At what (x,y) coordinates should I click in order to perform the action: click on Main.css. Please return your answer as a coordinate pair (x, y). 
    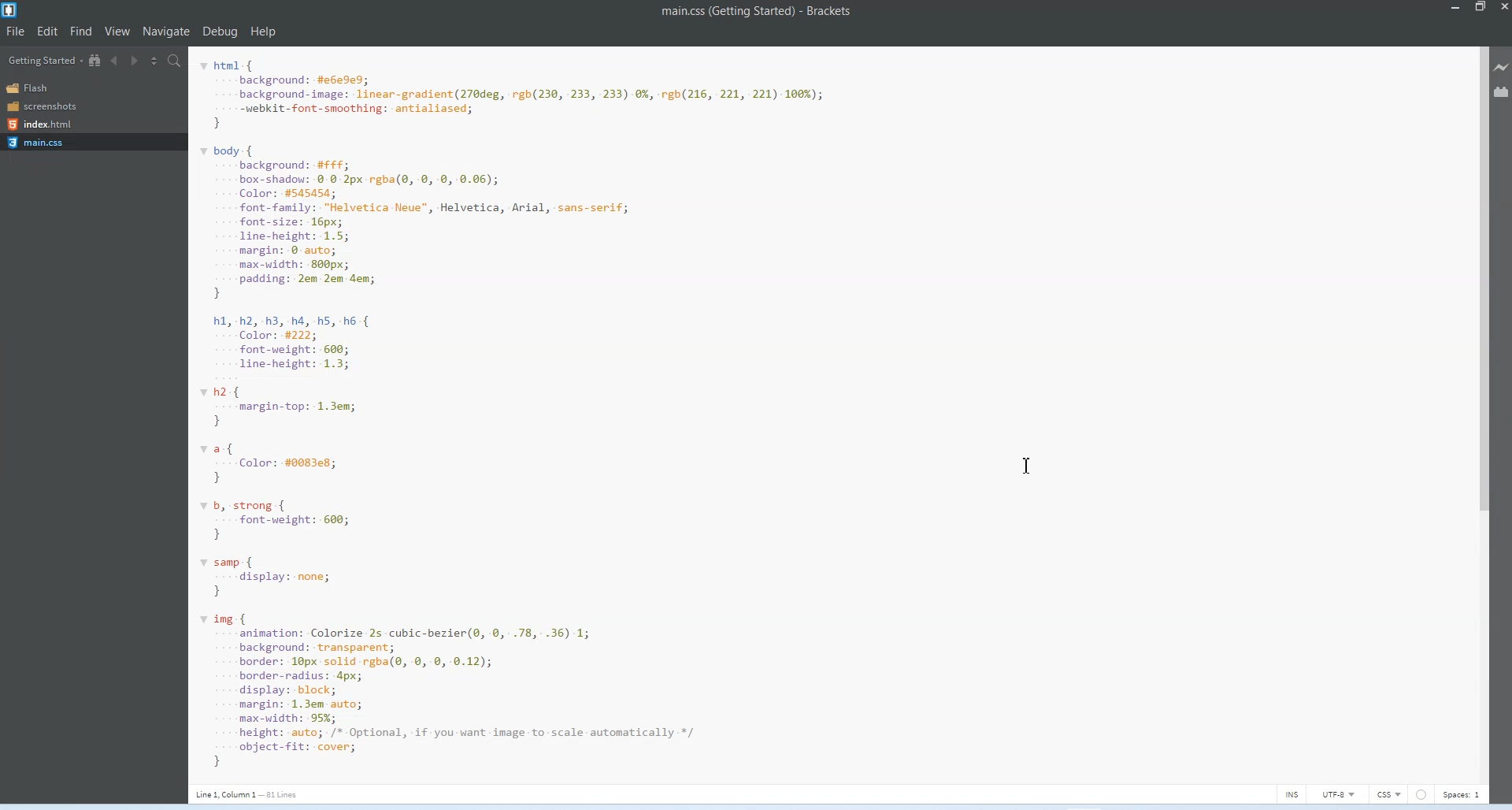
    Looking at the image, I should click on (37, 143).